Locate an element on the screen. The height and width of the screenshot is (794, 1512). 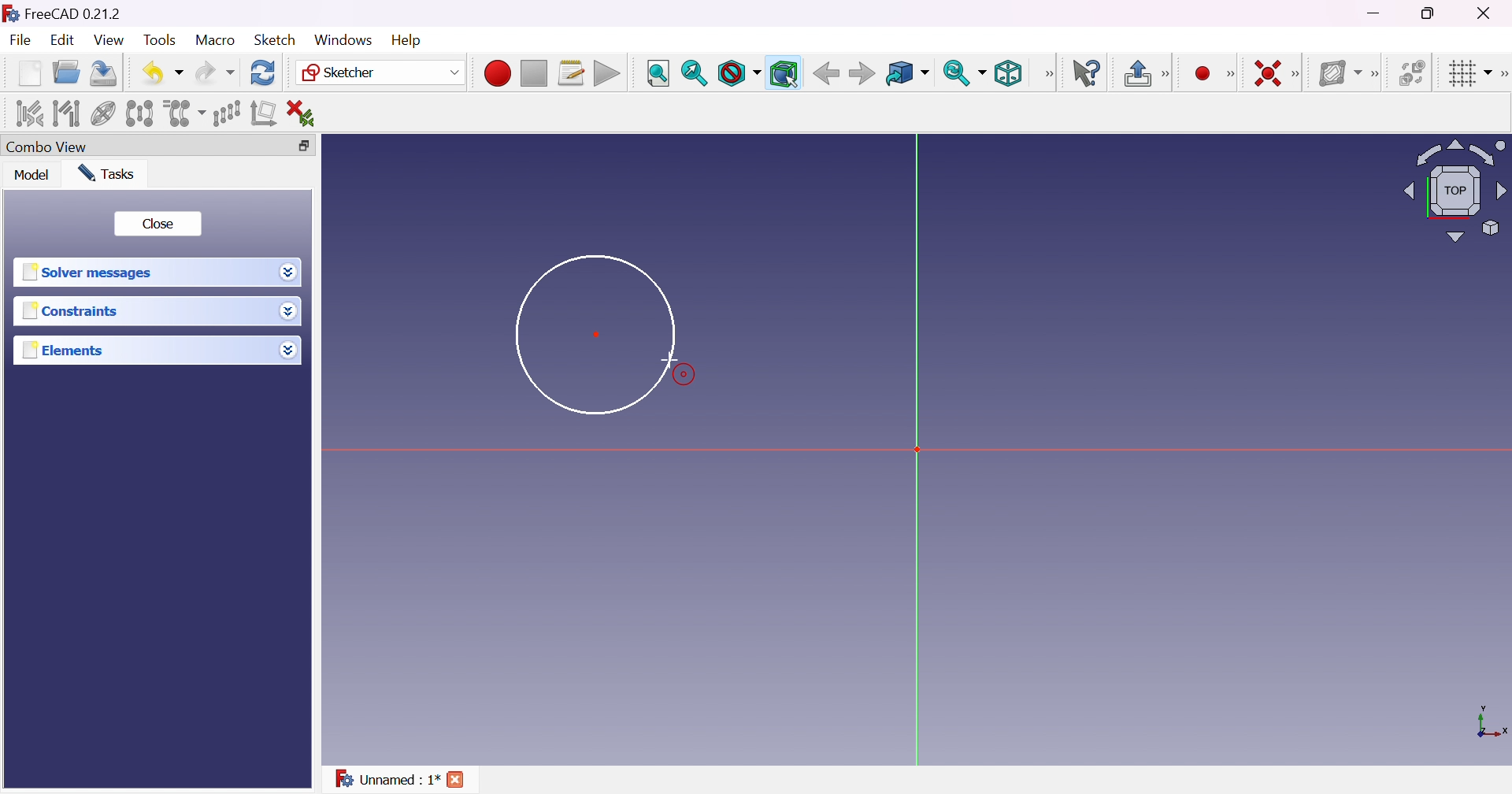
Elements is located at coordinates (65, 350).